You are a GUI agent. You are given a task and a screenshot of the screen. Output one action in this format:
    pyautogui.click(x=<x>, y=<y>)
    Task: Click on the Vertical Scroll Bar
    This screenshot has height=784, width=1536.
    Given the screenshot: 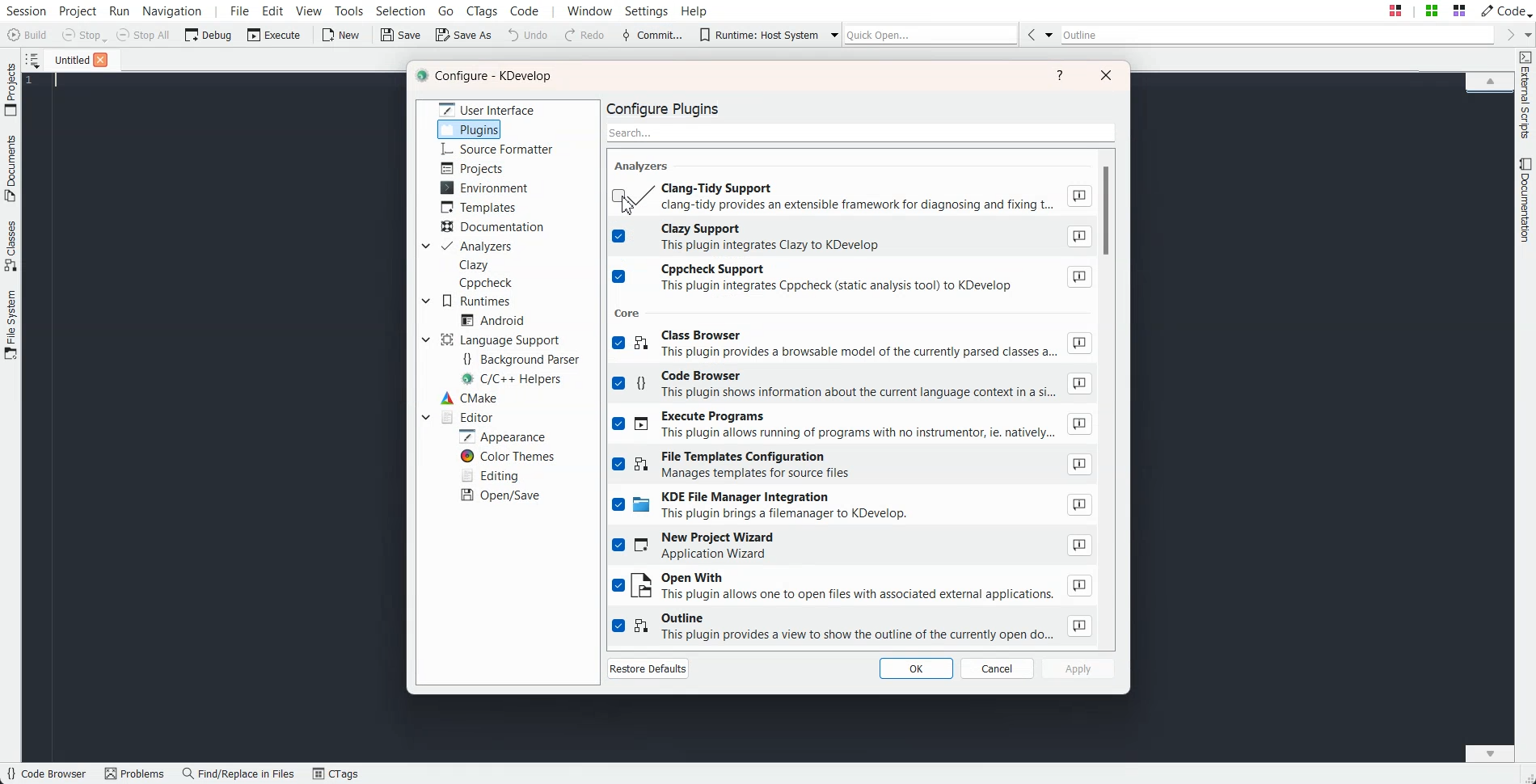 What is the action you would take?
    pyautogui.click(x=1112, y=395)
    